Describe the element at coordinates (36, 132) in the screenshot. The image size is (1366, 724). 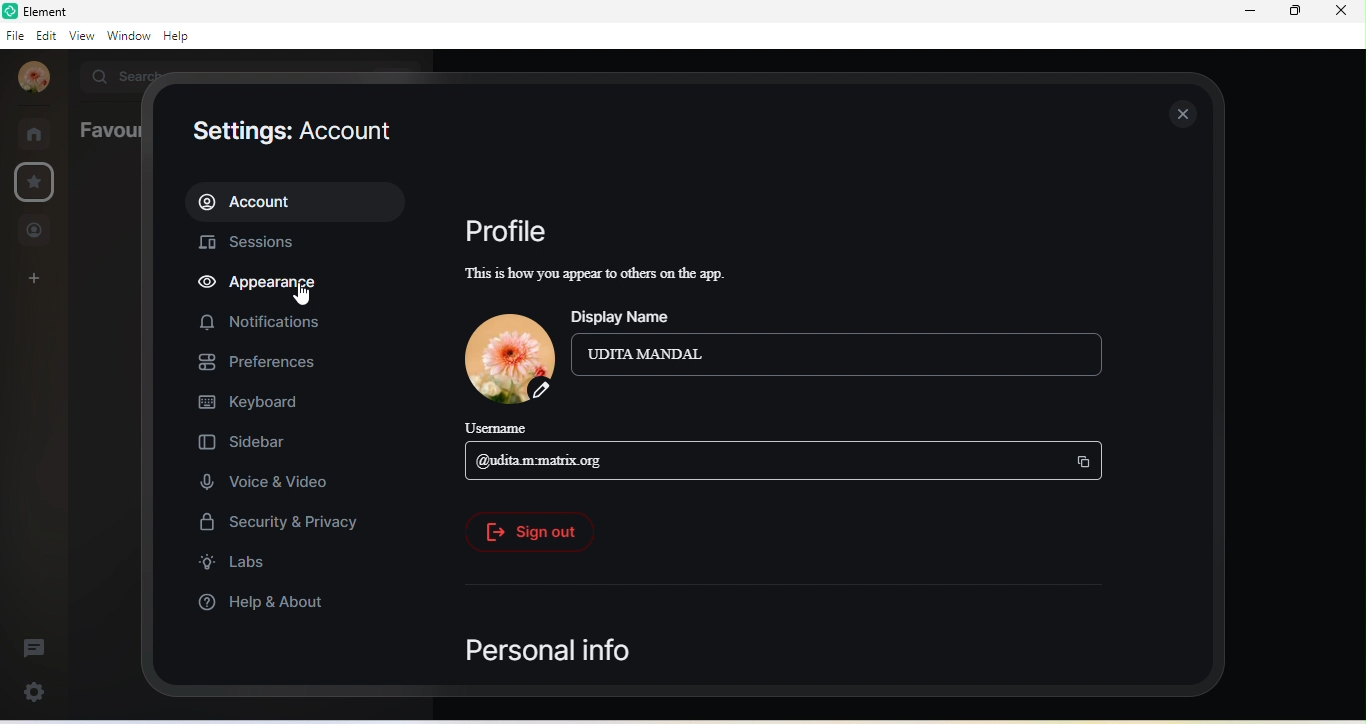
I see `rooms` at that location.